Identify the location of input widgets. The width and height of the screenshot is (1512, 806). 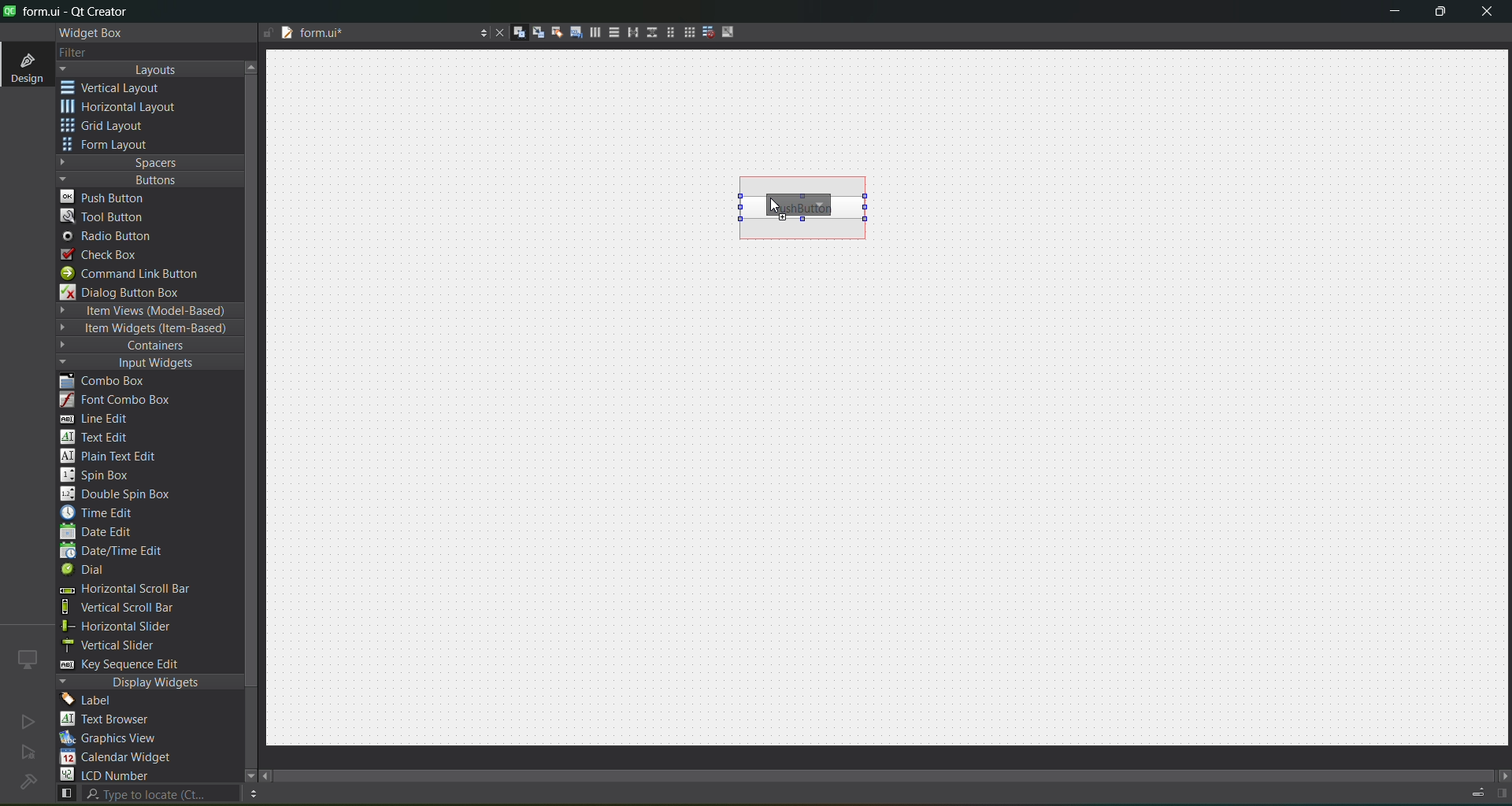
(142, 364).